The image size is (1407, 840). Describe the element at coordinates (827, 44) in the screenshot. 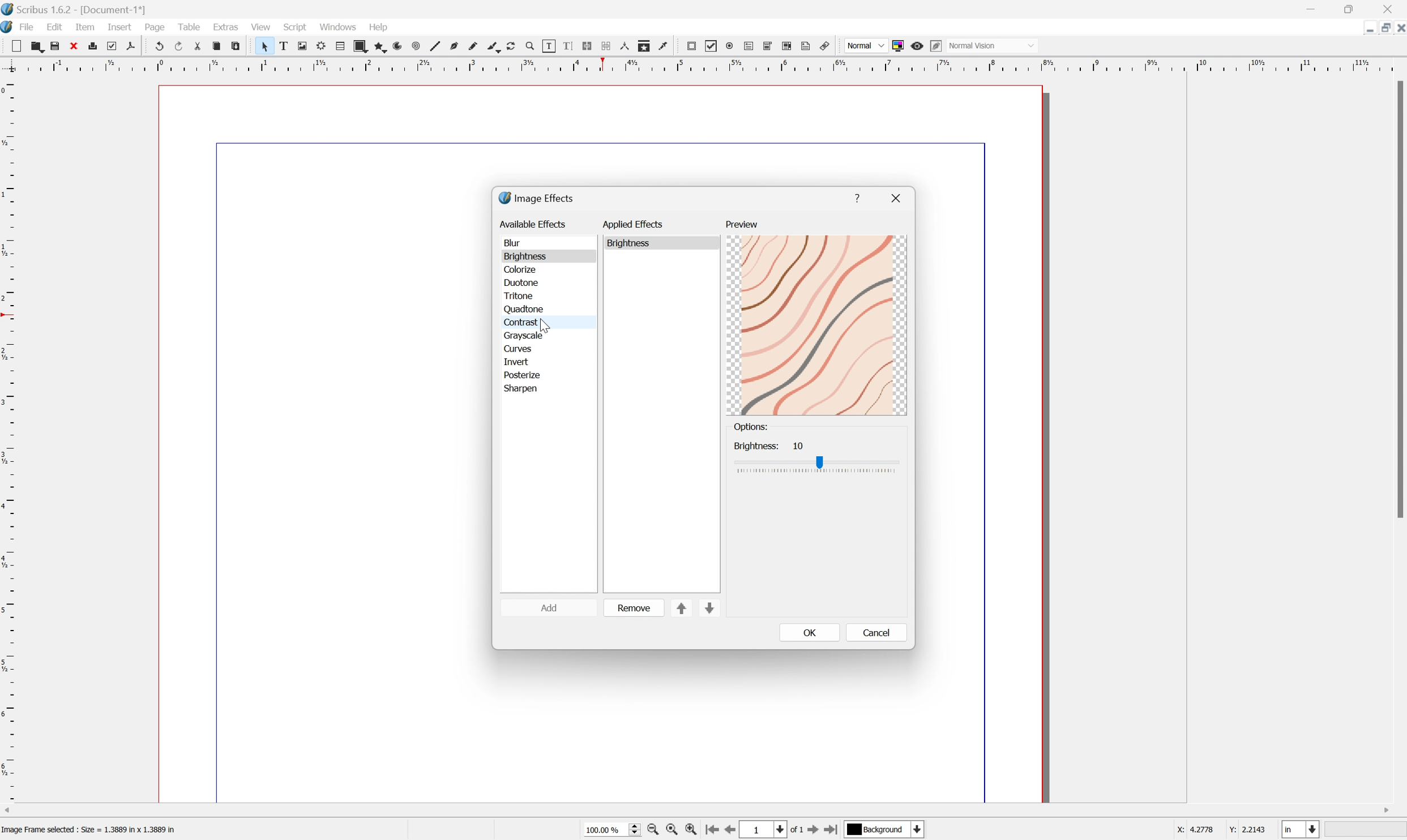

I see `Link annotation` at that location.